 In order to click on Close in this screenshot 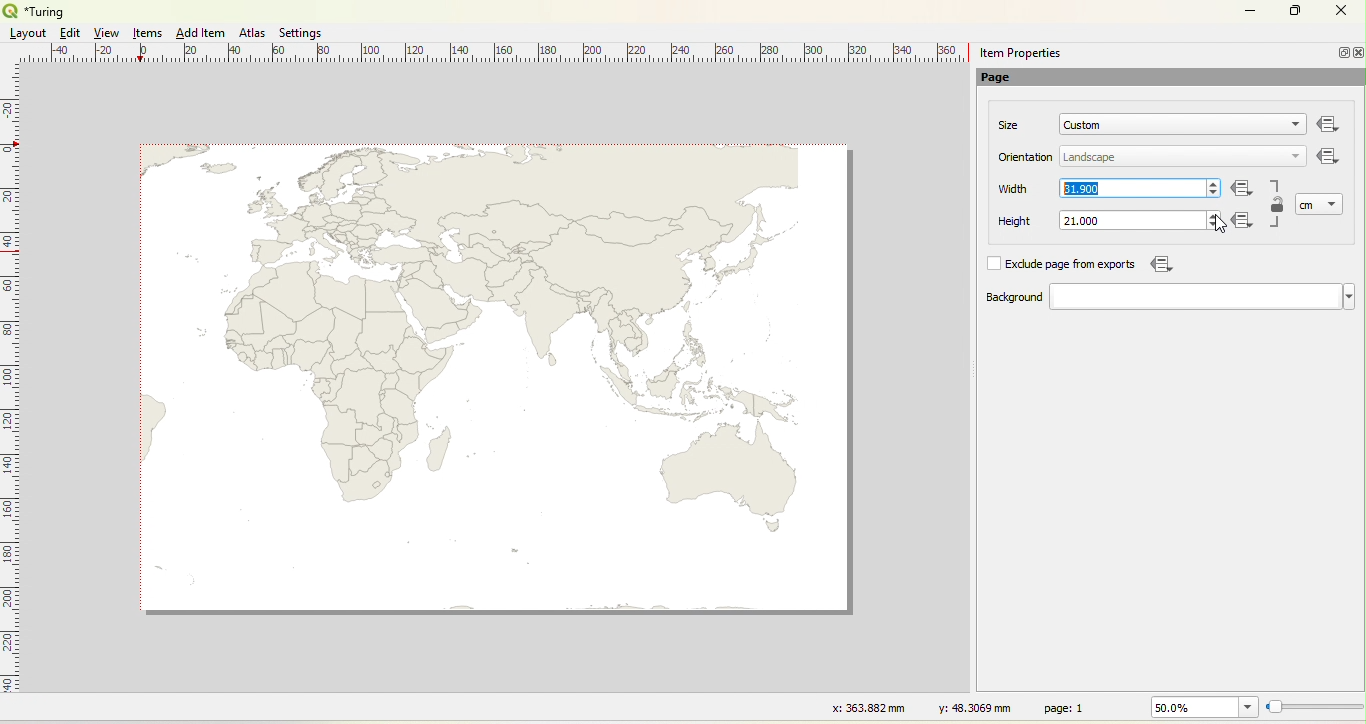, I will do `click(1340, 13)`.